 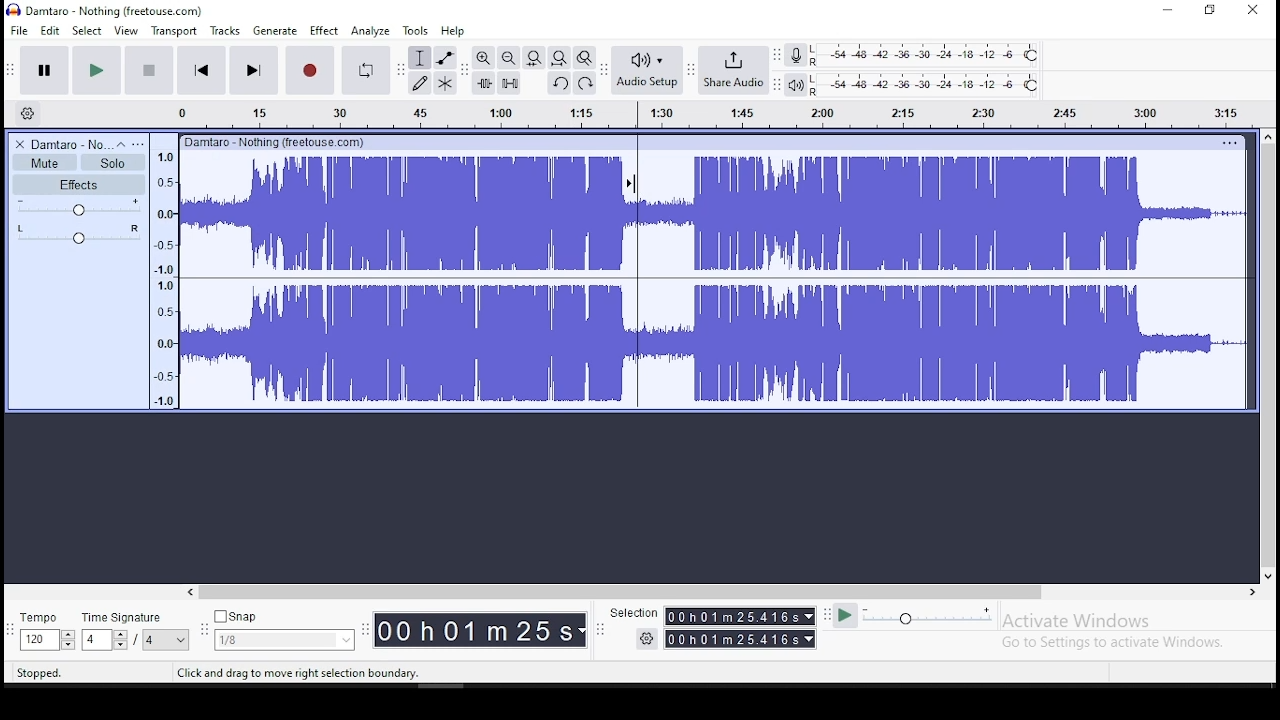 What do you see at coordinates (79, 185) in the screenshot?
I see `effects` at bounding box center [79, 185].